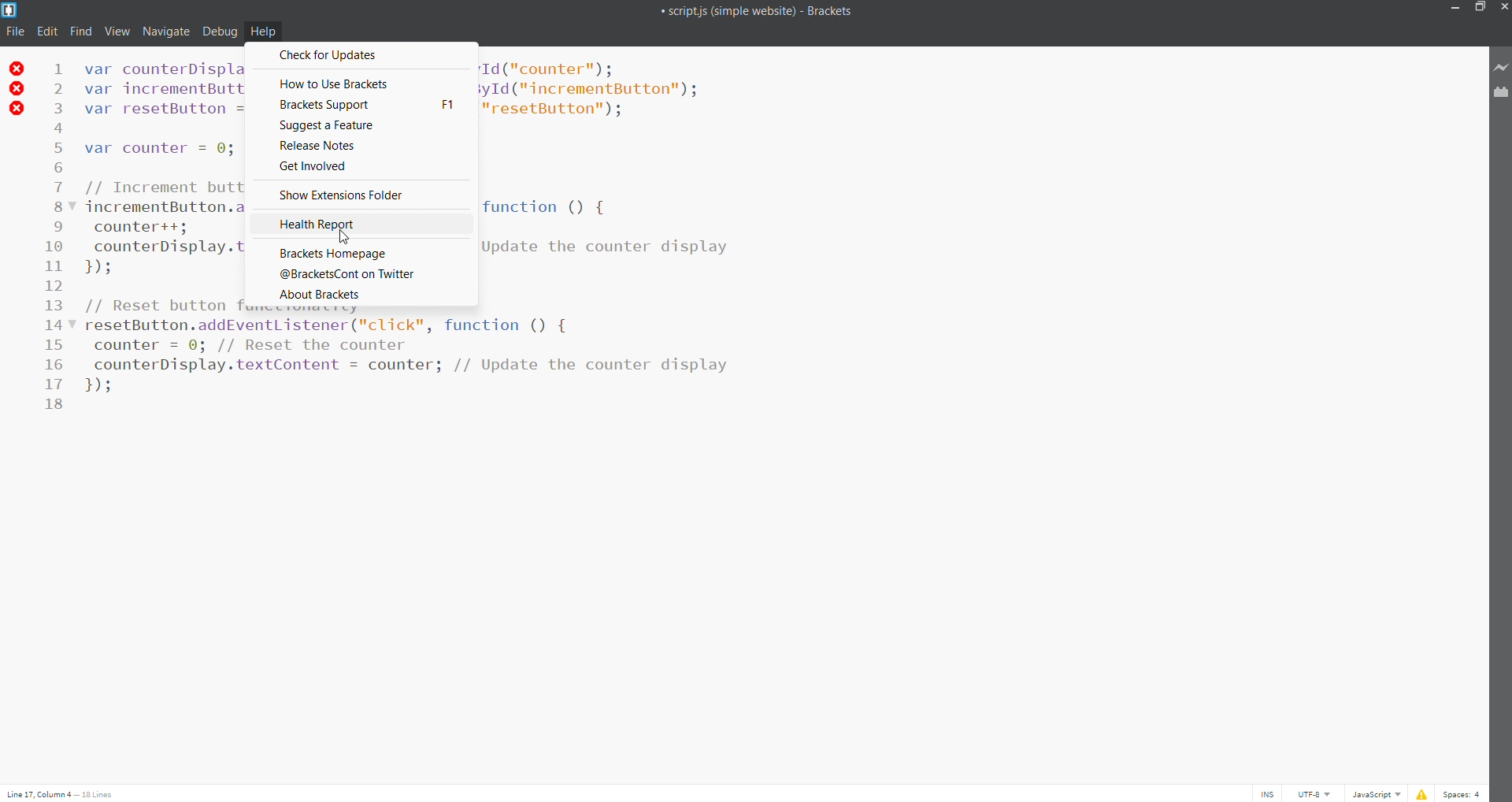 This screenshot has width=1512, height=802. I want to click on line errors, so click(17, 88).